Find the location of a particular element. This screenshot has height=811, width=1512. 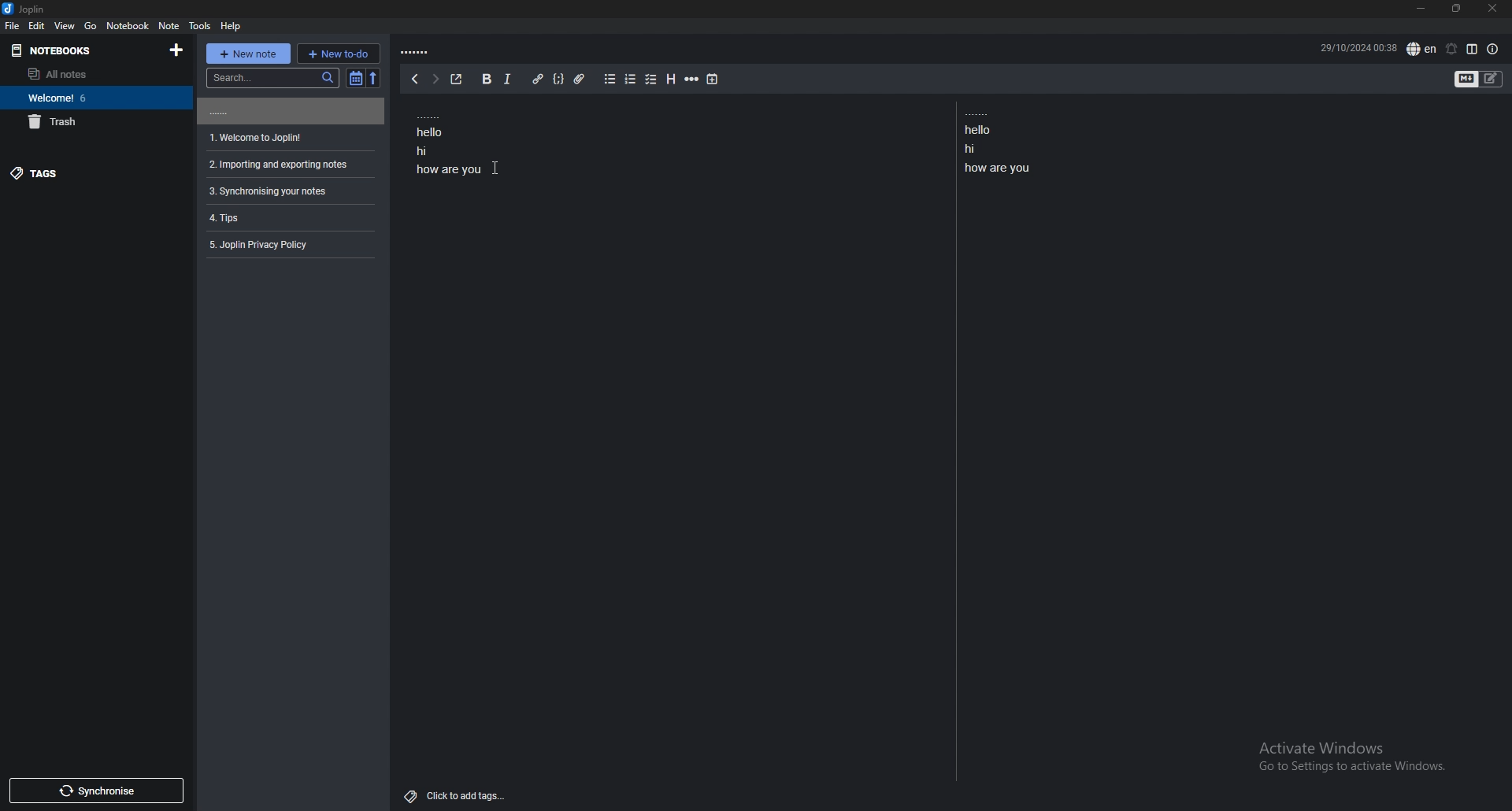

add hyperlink is located at coordinates (539, 79).